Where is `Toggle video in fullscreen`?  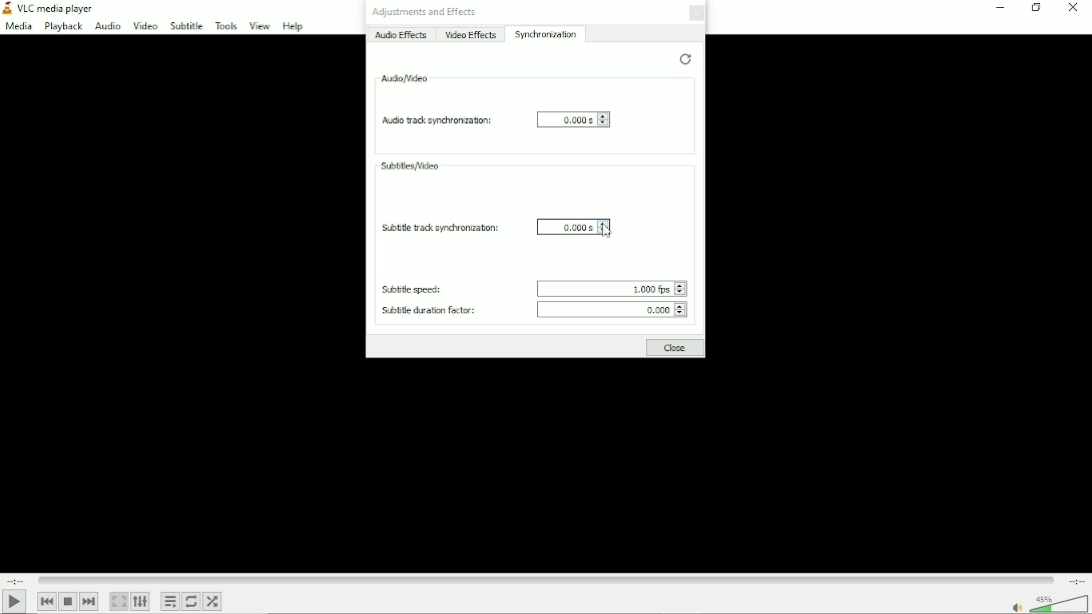 Toggle video in fullscreen is located at coordinates (120, 601).